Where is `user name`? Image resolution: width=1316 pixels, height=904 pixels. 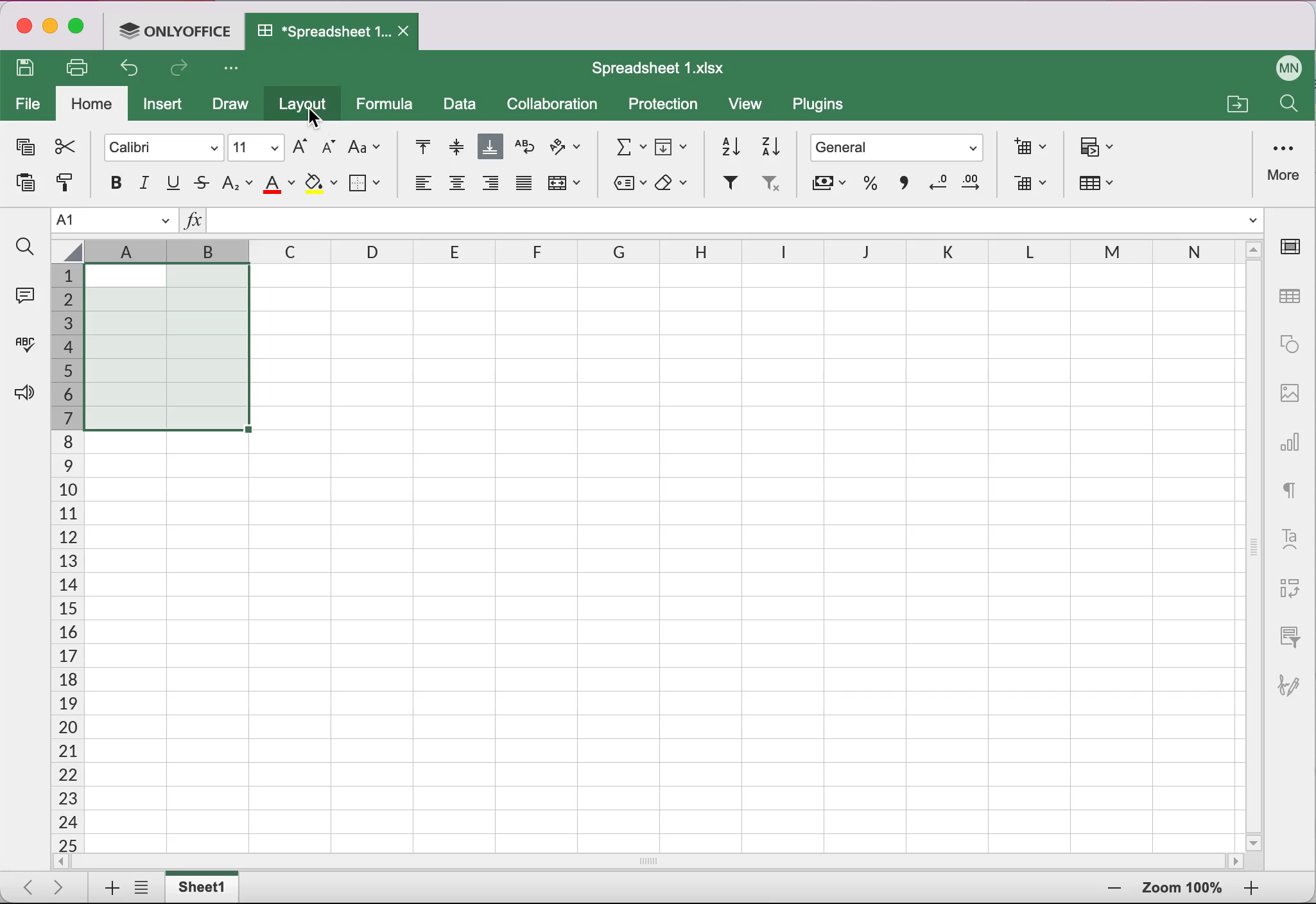 user name is located at coordinates (1290, 65).